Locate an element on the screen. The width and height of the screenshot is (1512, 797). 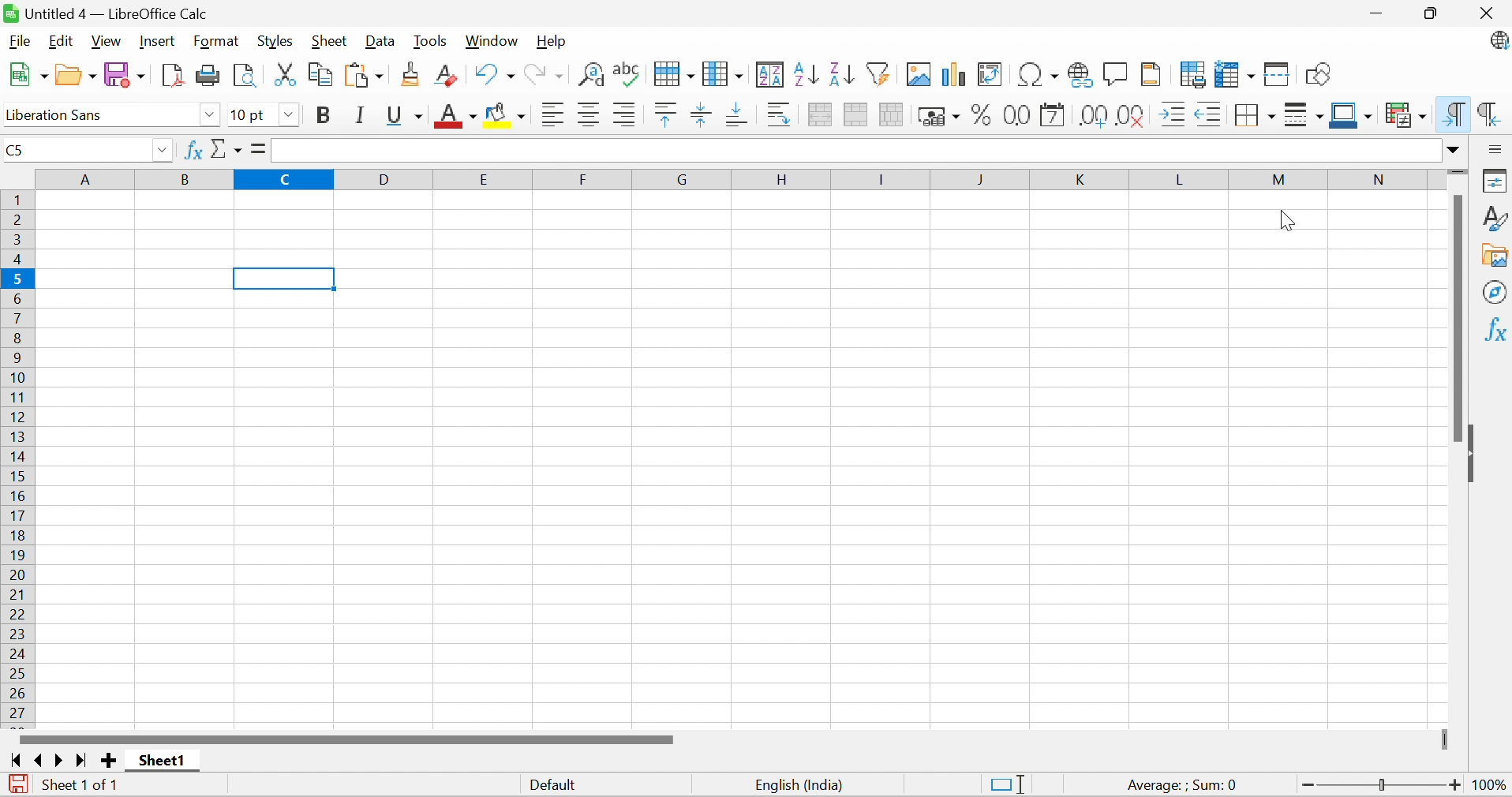
Function wizard is located at coordinates (193, 148).